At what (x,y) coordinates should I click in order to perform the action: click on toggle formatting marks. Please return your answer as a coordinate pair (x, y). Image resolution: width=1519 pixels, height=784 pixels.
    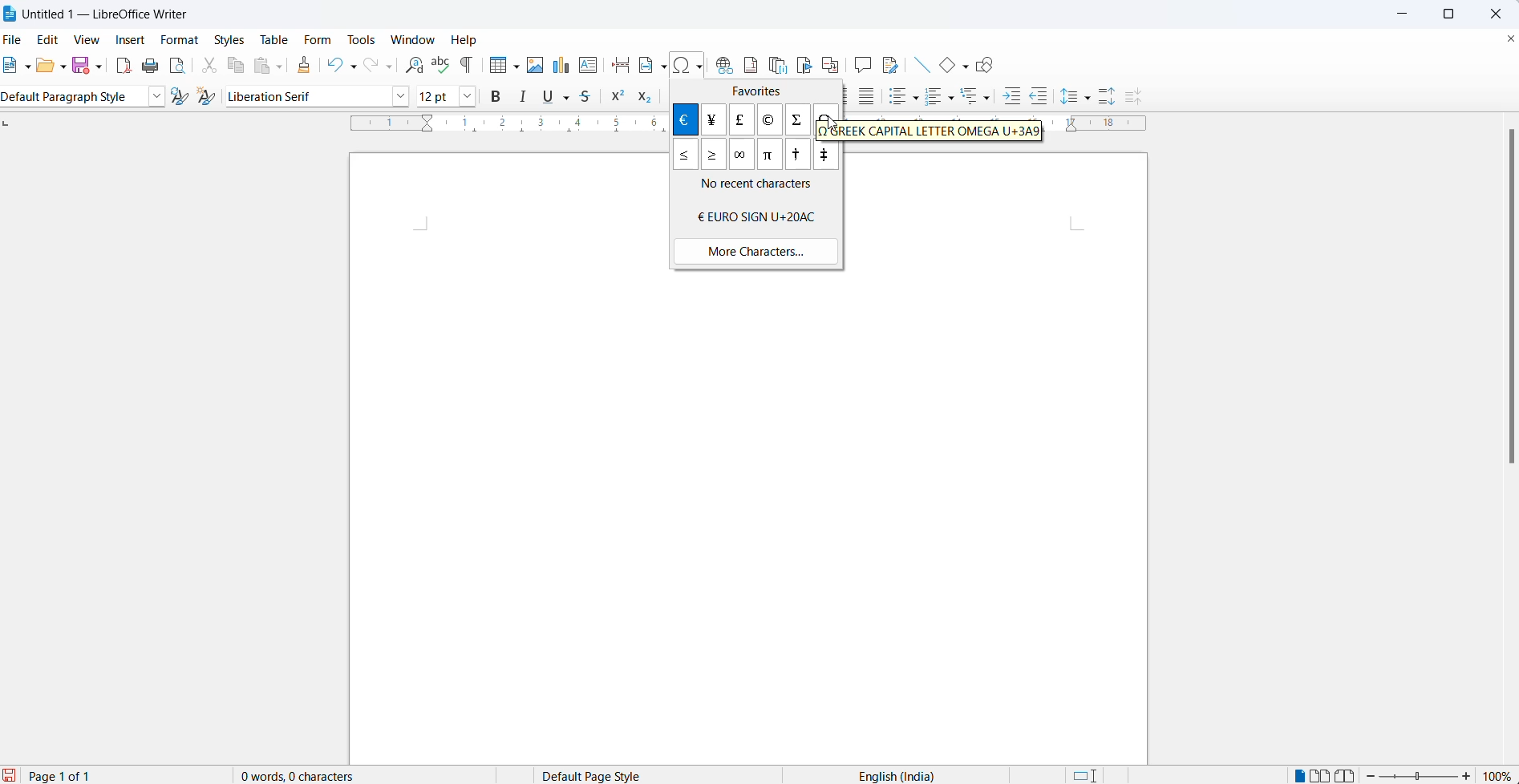
    Looking at the image, I should click on (466, 66).